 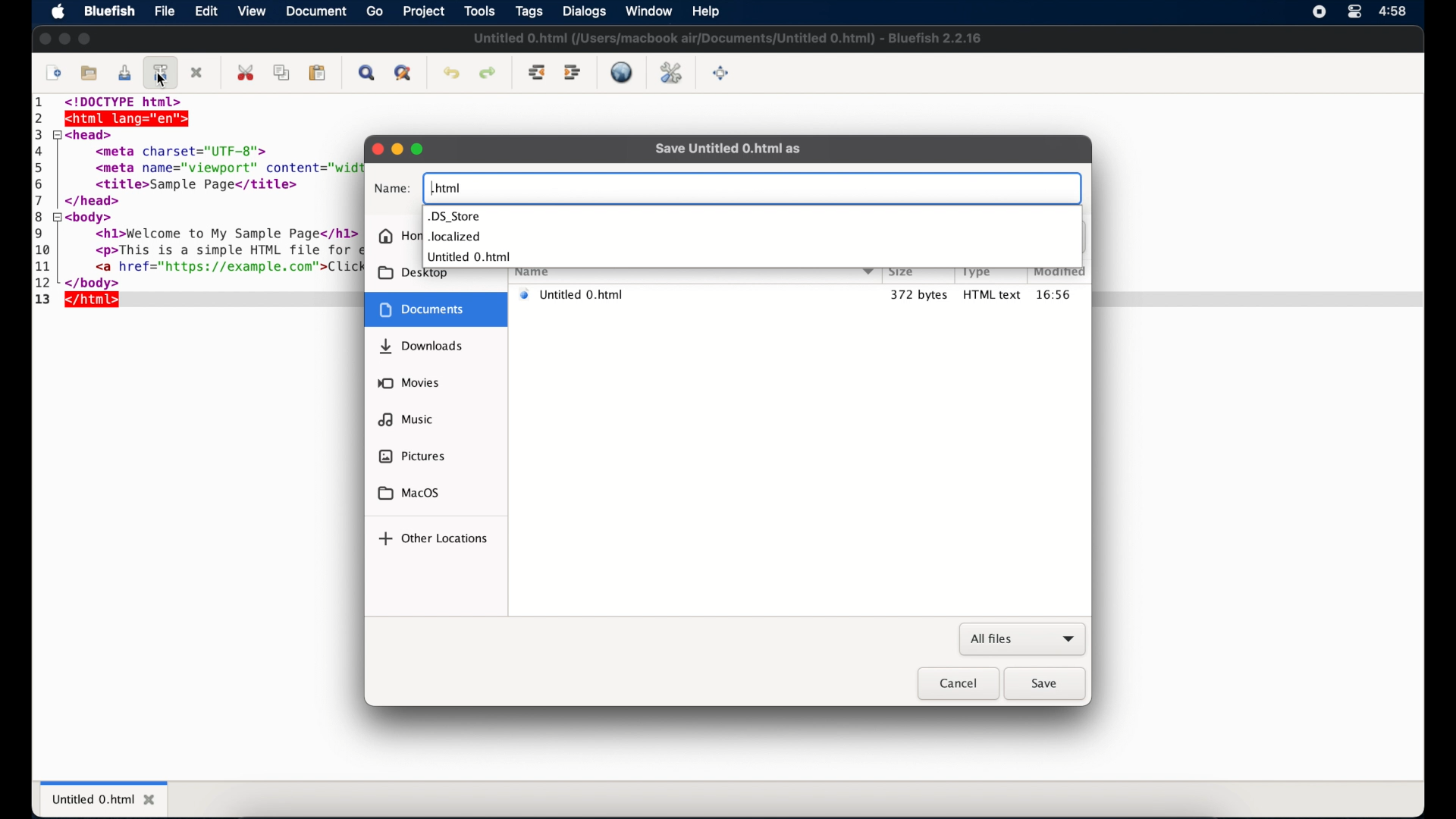 I want to click on .localized, so click(x=455, y=237).